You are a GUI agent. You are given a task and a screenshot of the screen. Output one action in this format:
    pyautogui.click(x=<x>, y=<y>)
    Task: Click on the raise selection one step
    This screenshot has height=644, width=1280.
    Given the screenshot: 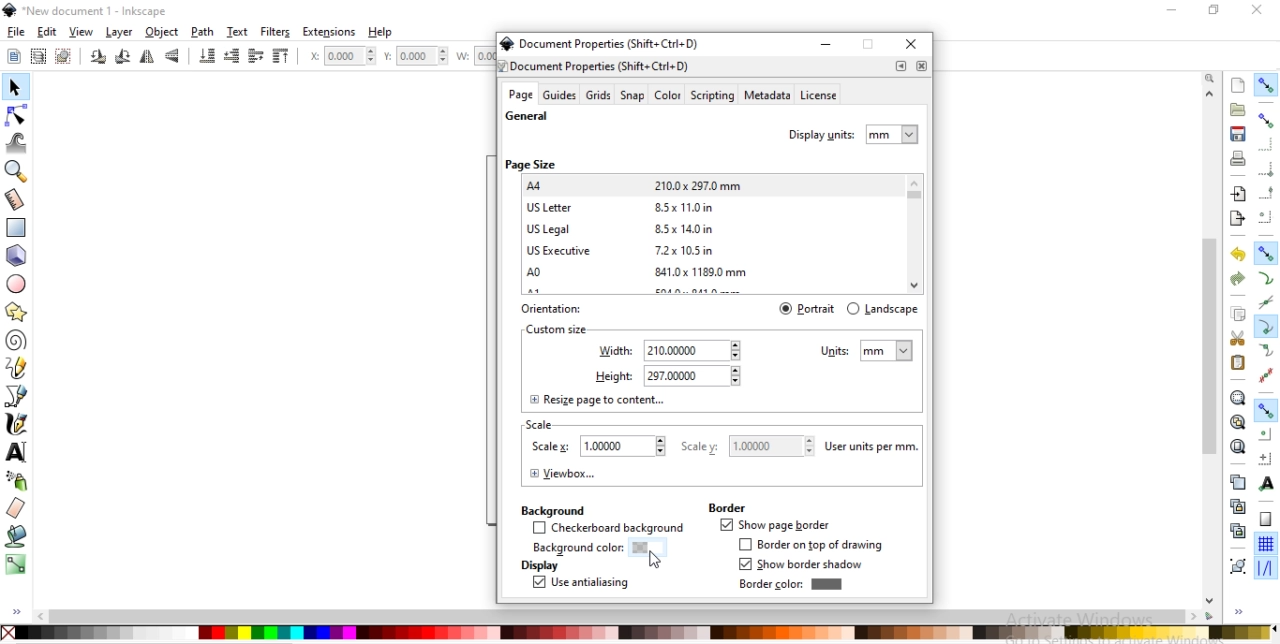 What is the action you would take?
    pyautogui.click(x=254, y=57)
    